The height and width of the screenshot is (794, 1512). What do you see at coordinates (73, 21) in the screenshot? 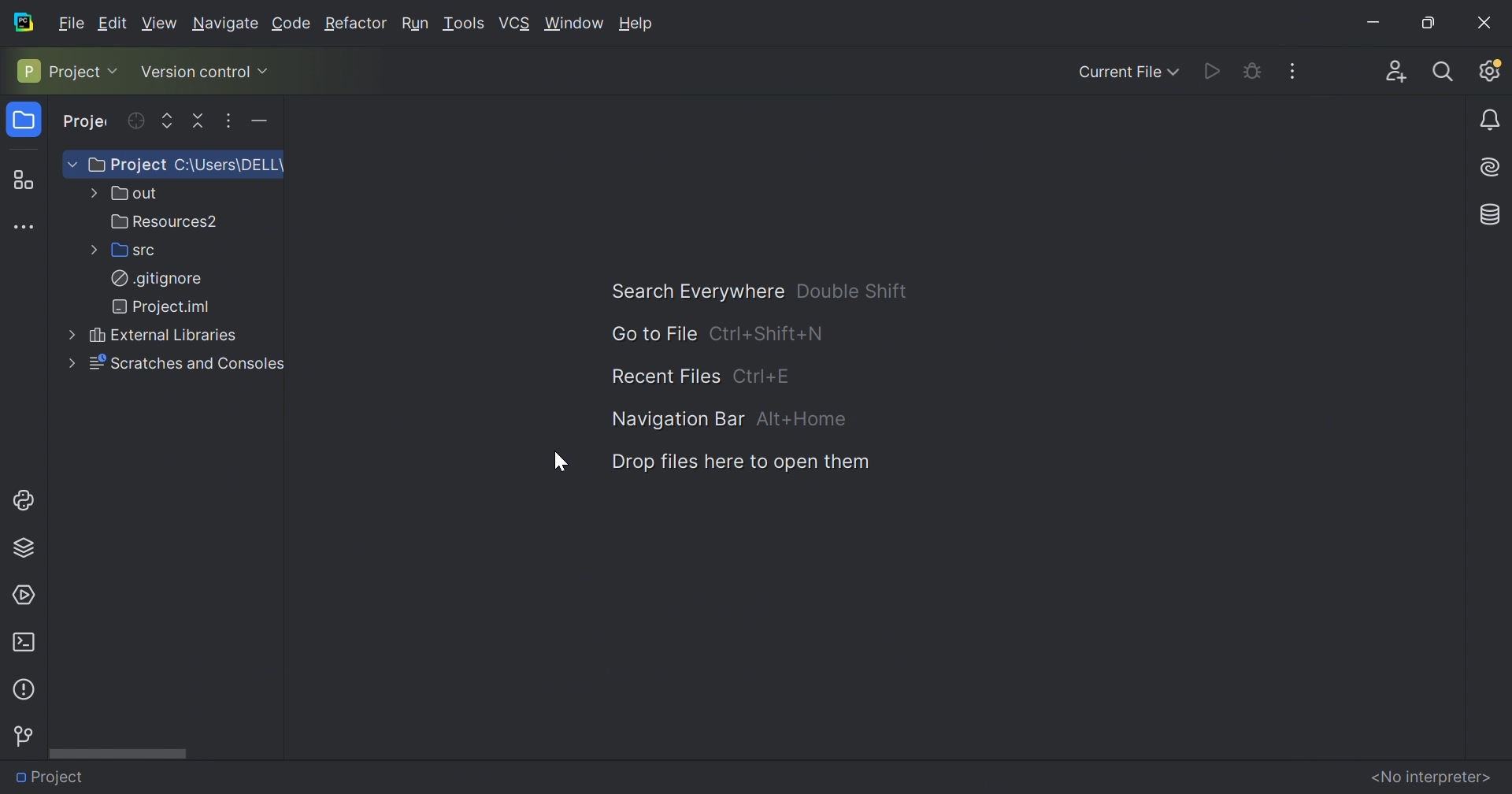
I see `Fiele` at bounding box center [73, 21].